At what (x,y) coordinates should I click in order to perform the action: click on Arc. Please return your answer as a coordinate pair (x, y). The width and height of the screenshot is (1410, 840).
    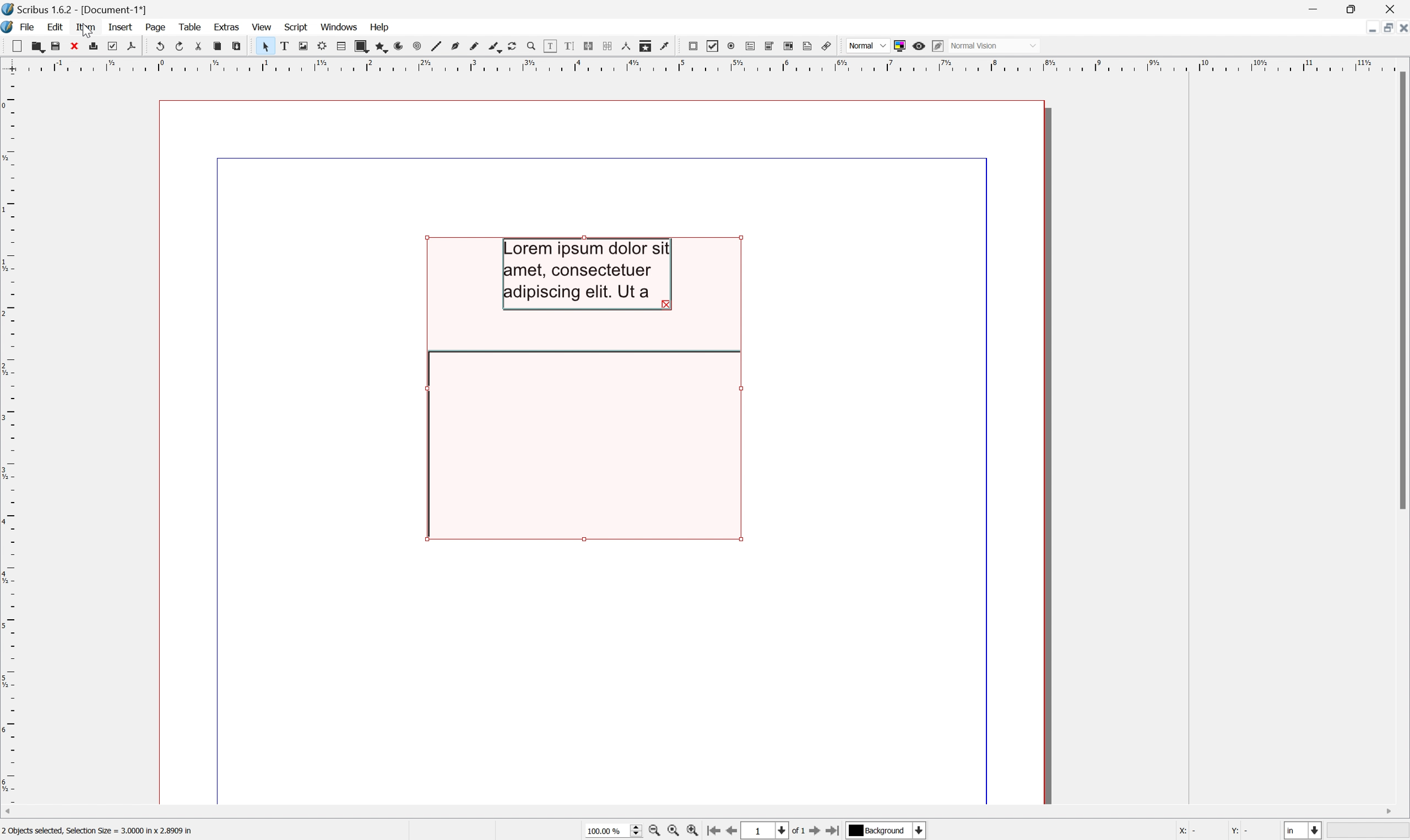
    Looking at the image, I should click on (399, 46).